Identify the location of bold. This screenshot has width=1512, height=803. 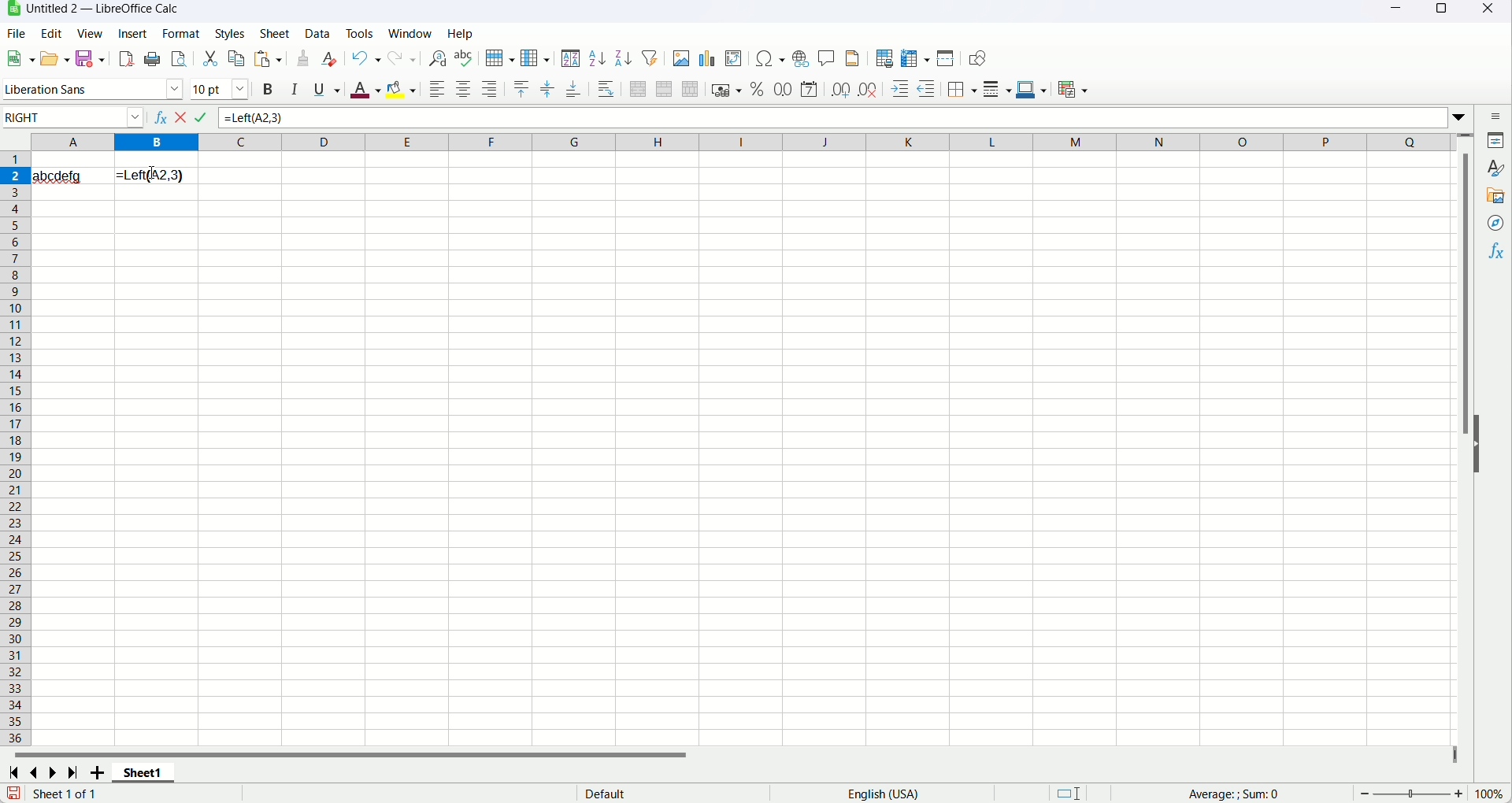
(269, 90).